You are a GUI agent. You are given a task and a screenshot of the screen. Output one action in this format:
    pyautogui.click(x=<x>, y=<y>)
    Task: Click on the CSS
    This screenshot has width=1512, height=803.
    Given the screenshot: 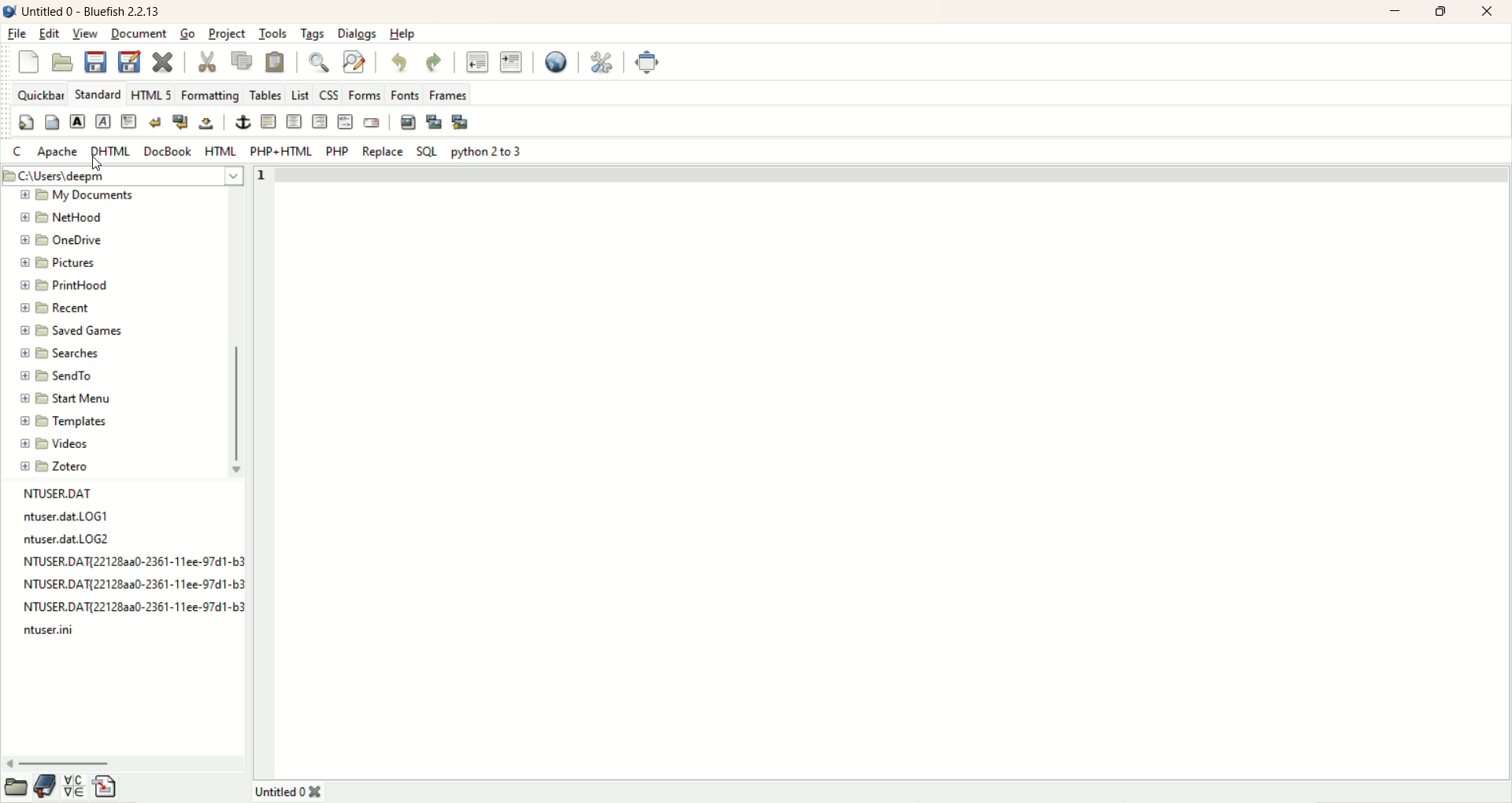 What is the action you would take?
    pyautogui.click(x=328, y=94)
    